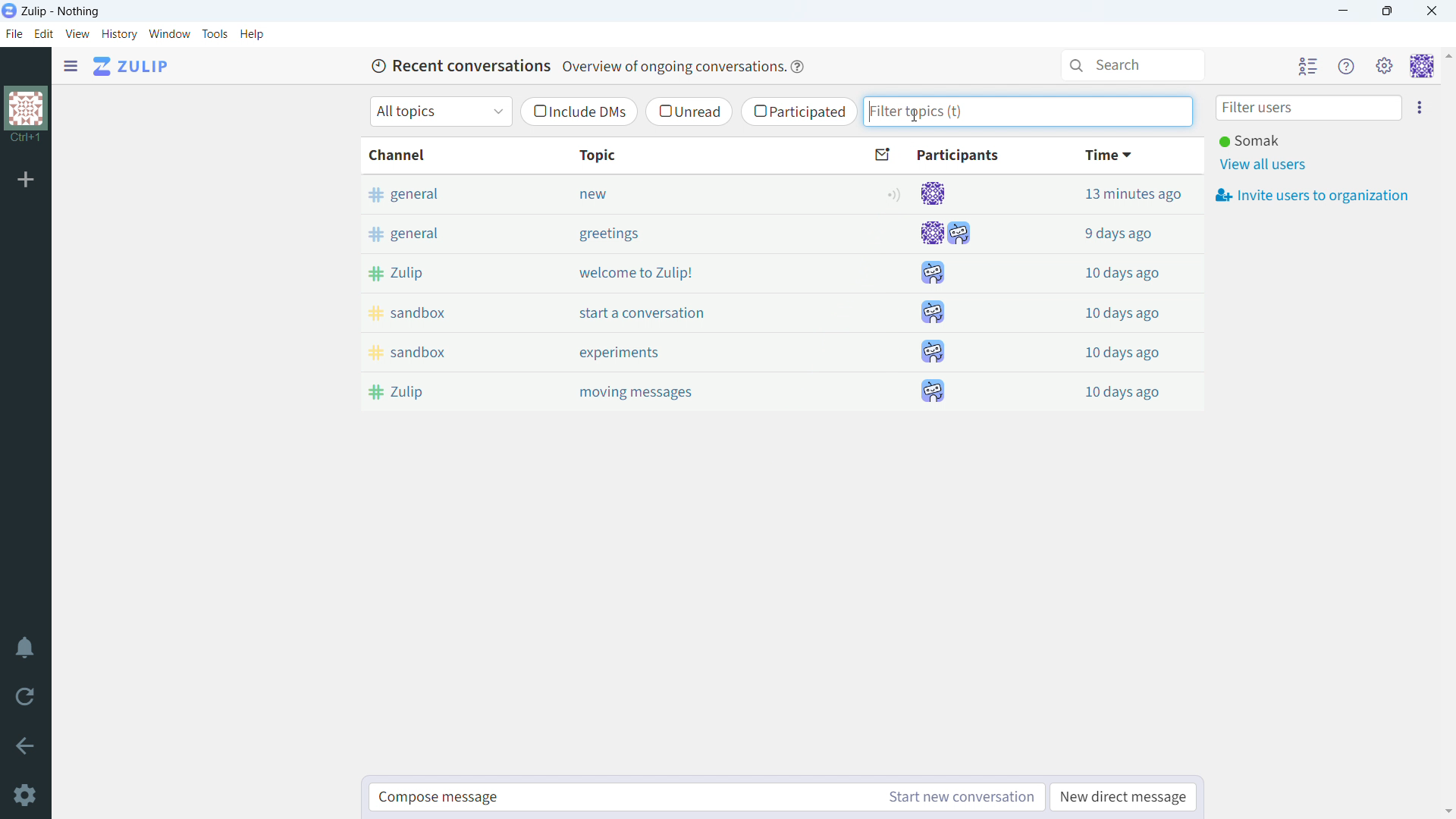 The height and width of the screenshot is (819, 1456). What do you see at coordinates (913, 116) in the screenshot?
I see `cursor` at bounding box center [913, 116].